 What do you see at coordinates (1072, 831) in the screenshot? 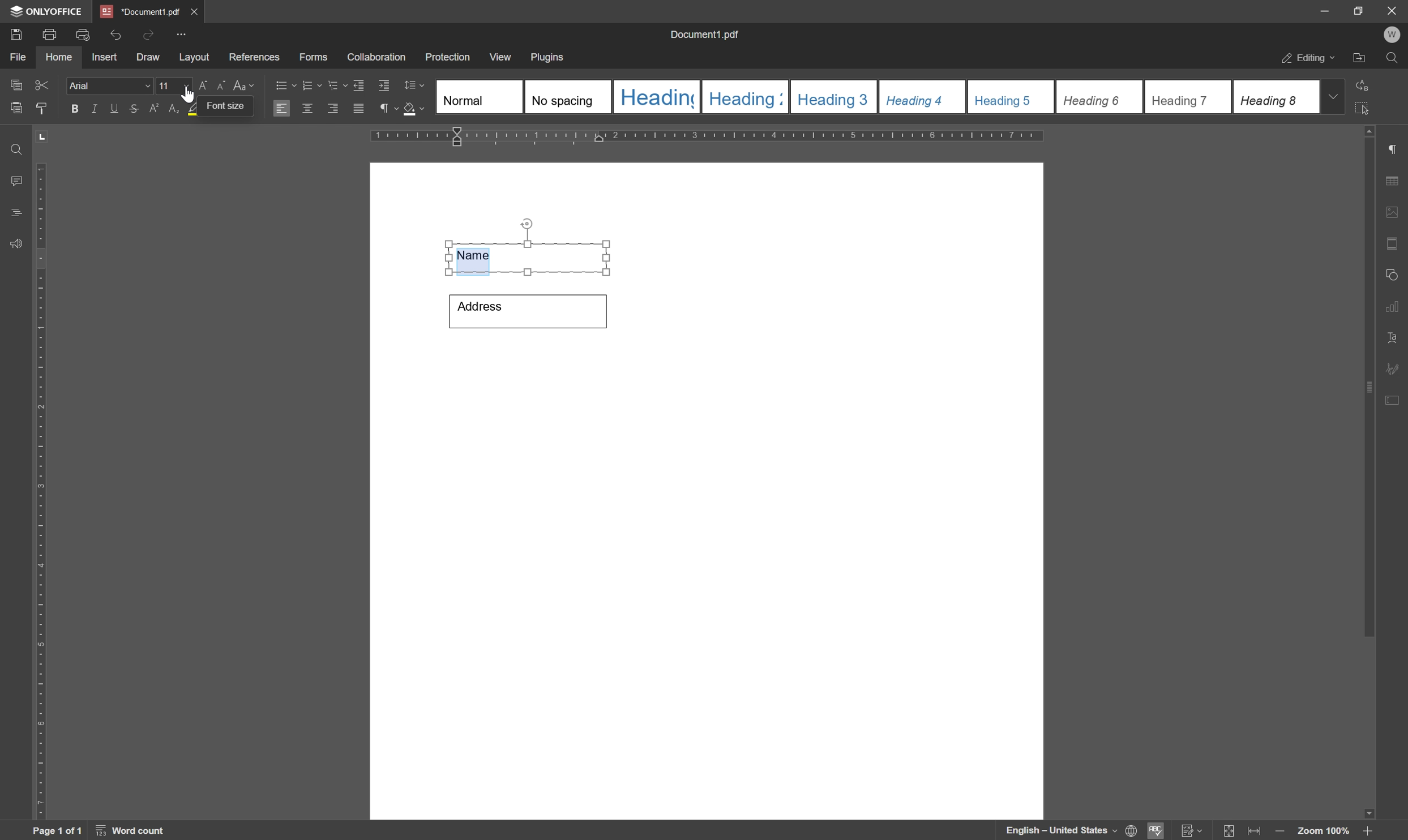
I see `English- united states` at bounding box center [1072, 831].